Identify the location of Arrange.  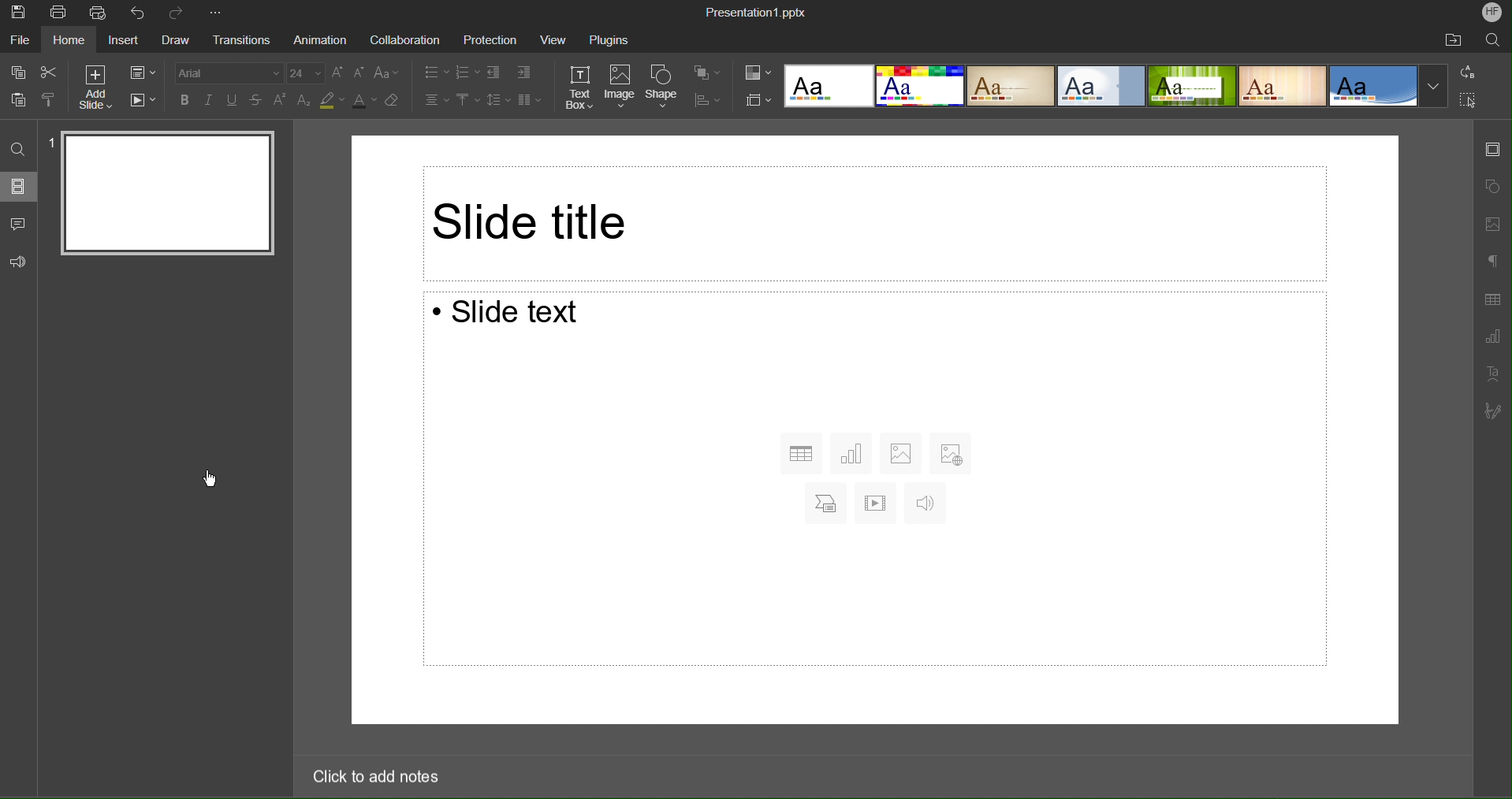
(706, 72).